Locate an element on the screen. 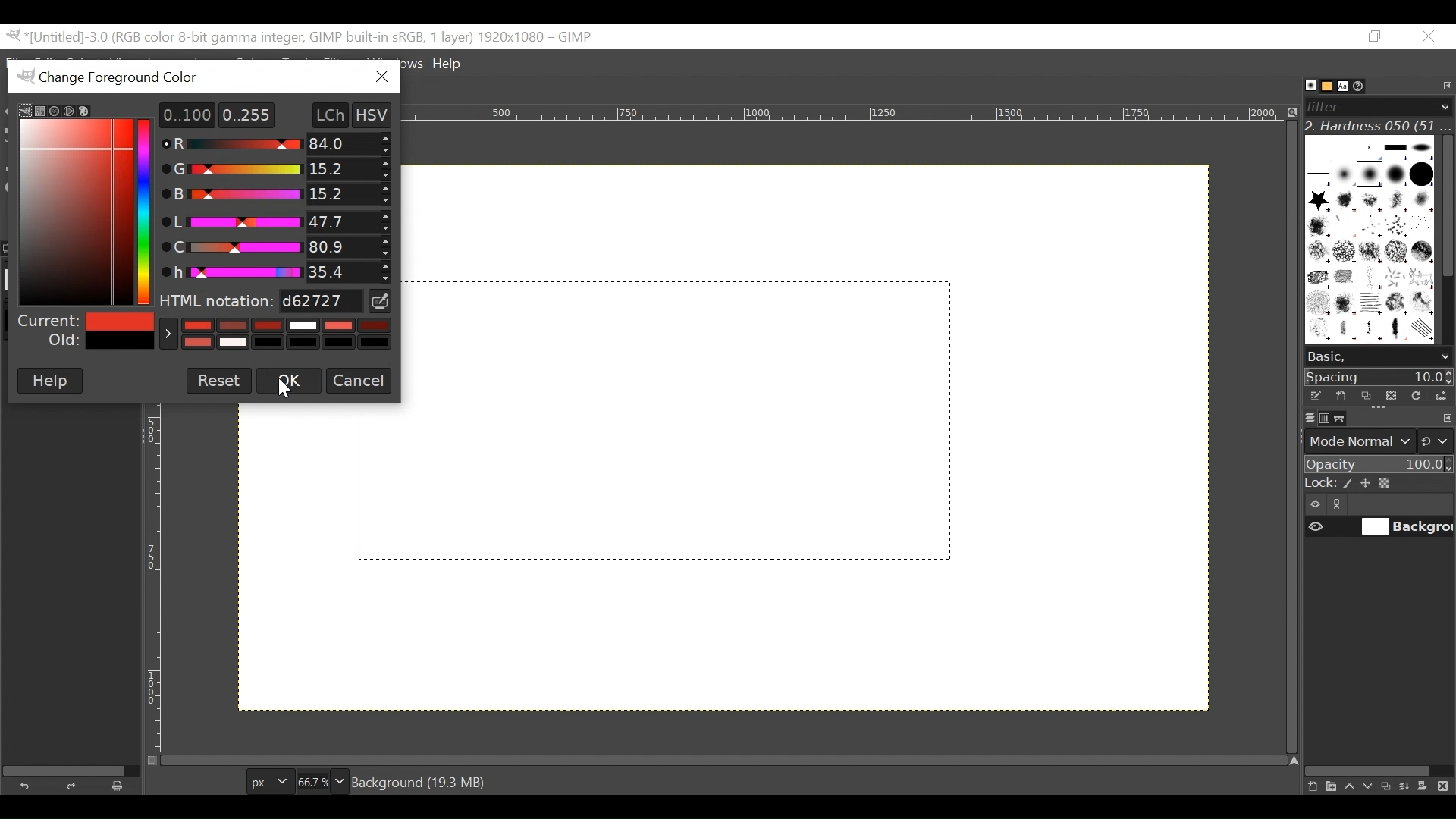 Image resolution: width=1456 pixels, height=819 pixels. Clear button is located at coordinates (122, 786).